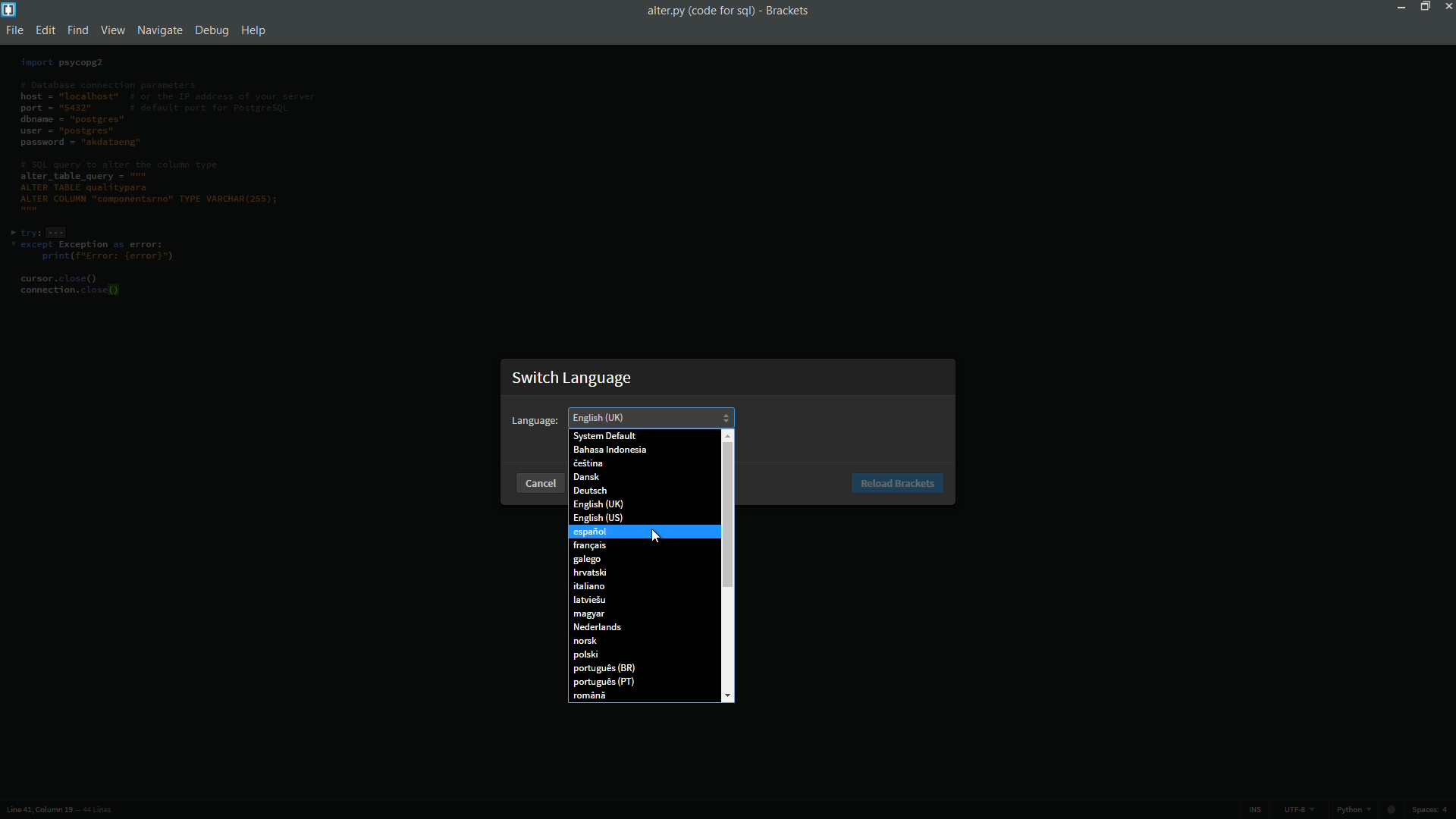  Describe the element at coordinates (730, 435) in the screenshot. I see `scroll up` at that location.